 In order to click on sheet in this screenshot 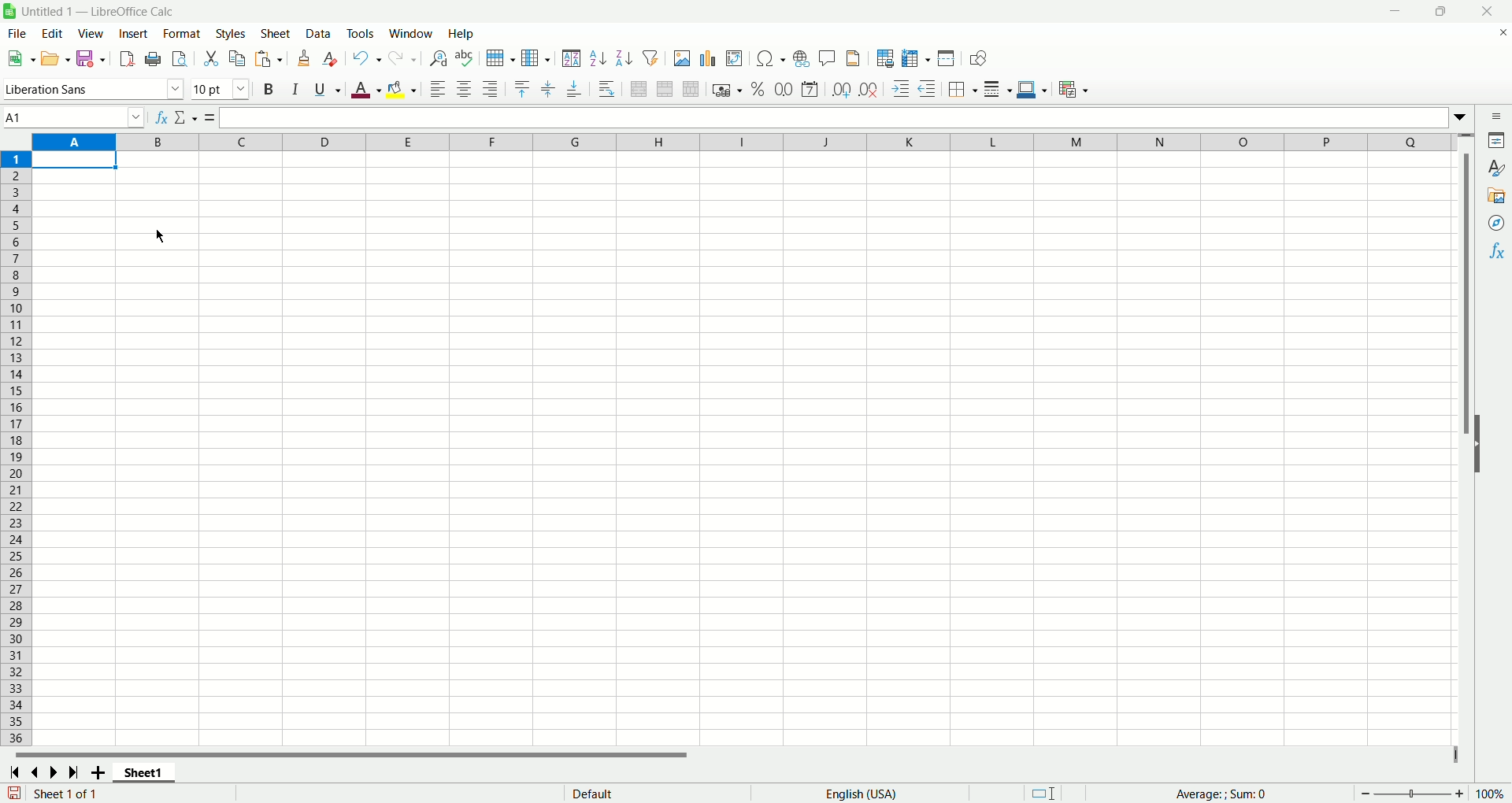, I will do `click(741, 451)`.